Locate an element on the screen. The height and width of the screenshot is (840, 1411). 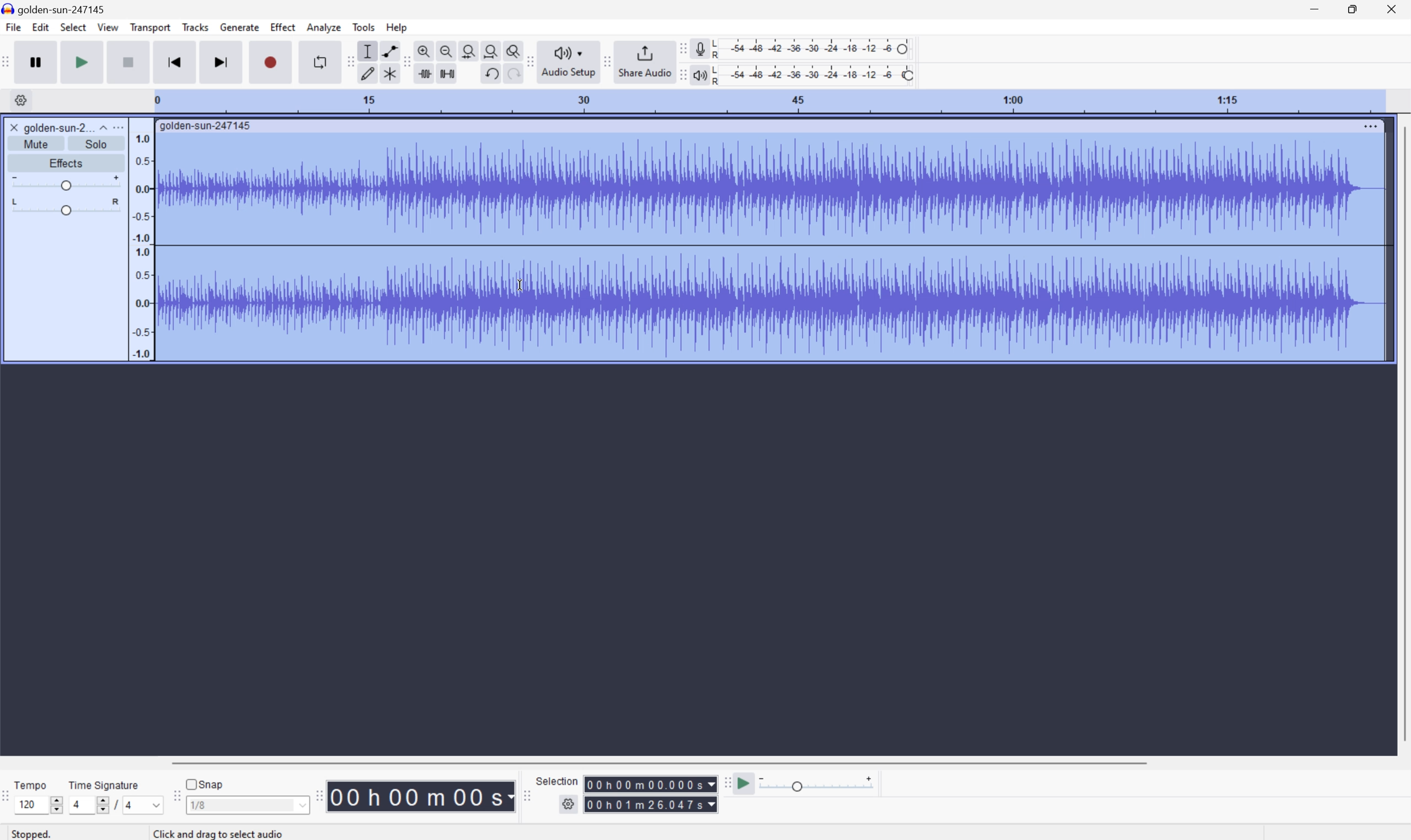
Audio is located at coordinates (770, 248).